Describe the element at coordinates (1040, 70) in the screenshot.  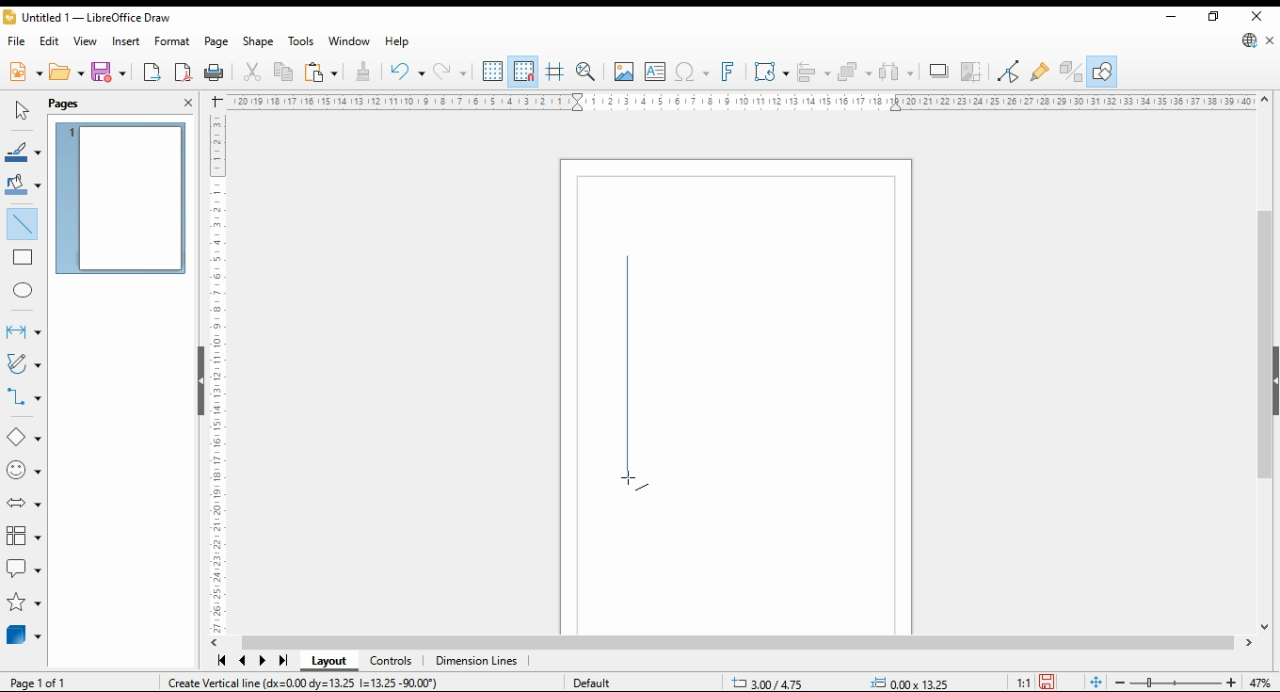
I see `show gluepoint functions` at that location.